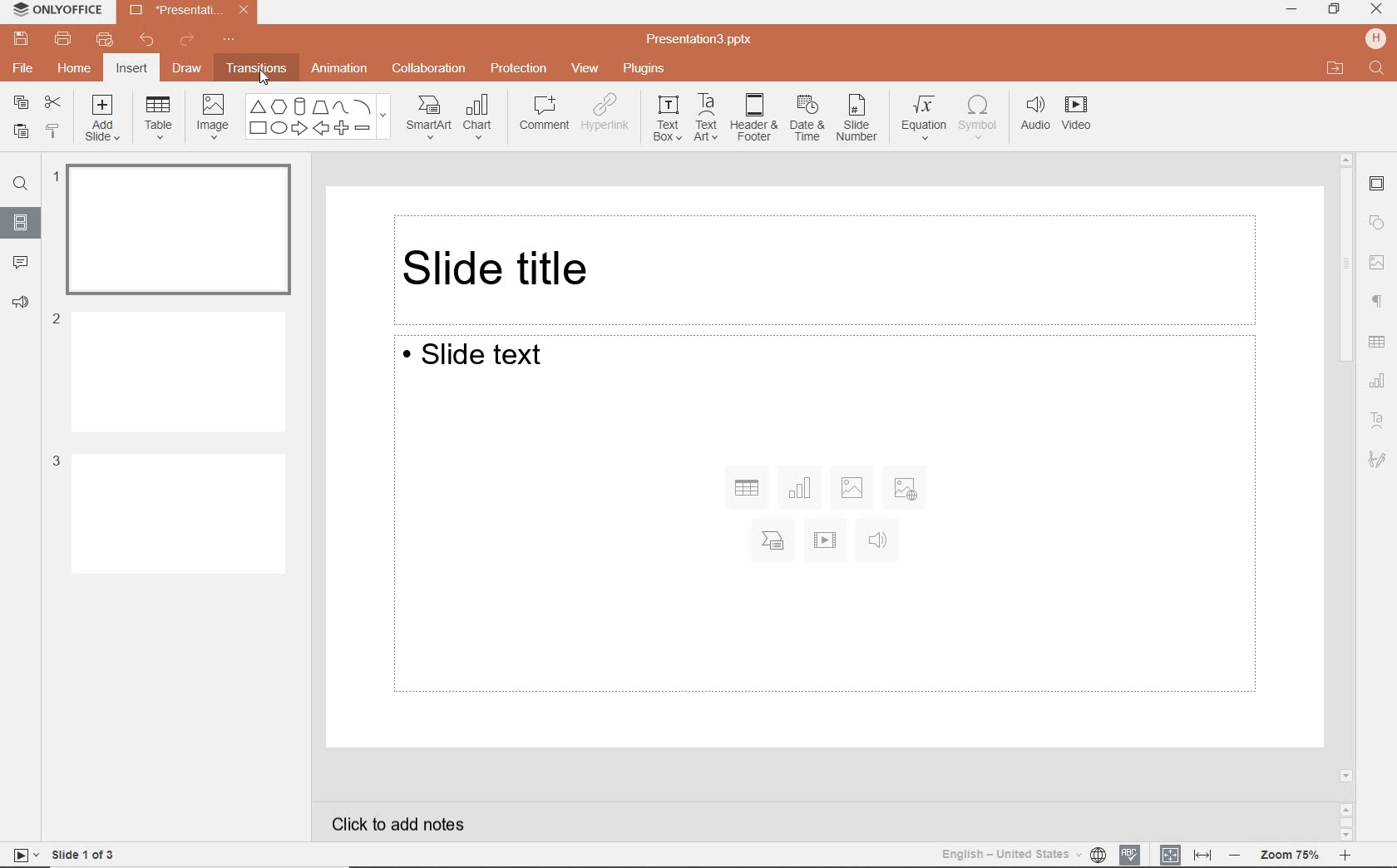 The width and height of the screenshot is (1397, 868). What do you see at coordinates (429, 68) in the screenshot?
I see `collaboration` at bounding box center [429, 68].